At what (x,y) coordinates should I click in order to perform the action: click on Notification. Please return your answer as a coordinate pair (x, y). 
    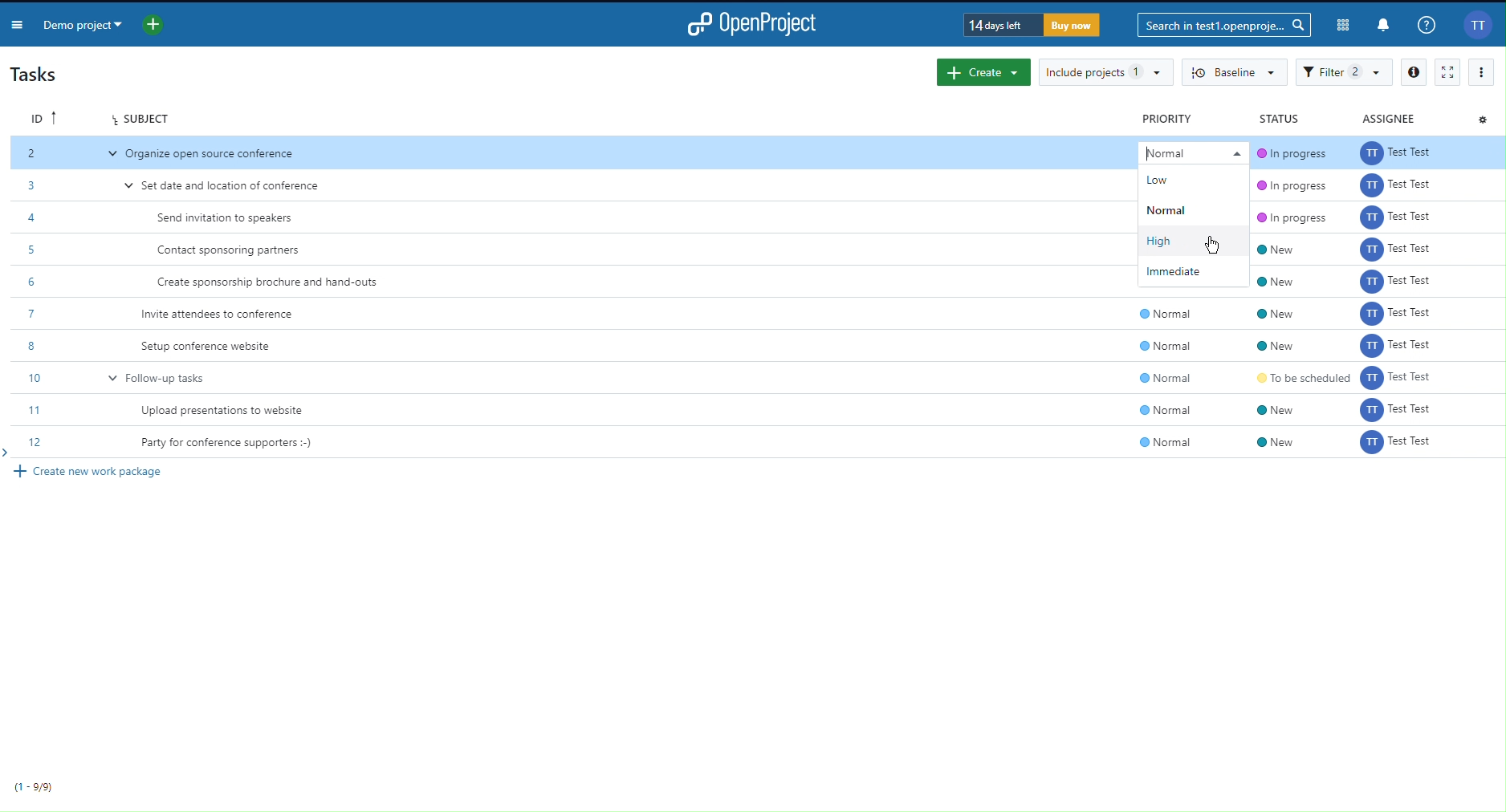
    Looking at the image, I should click on (1385, 26).